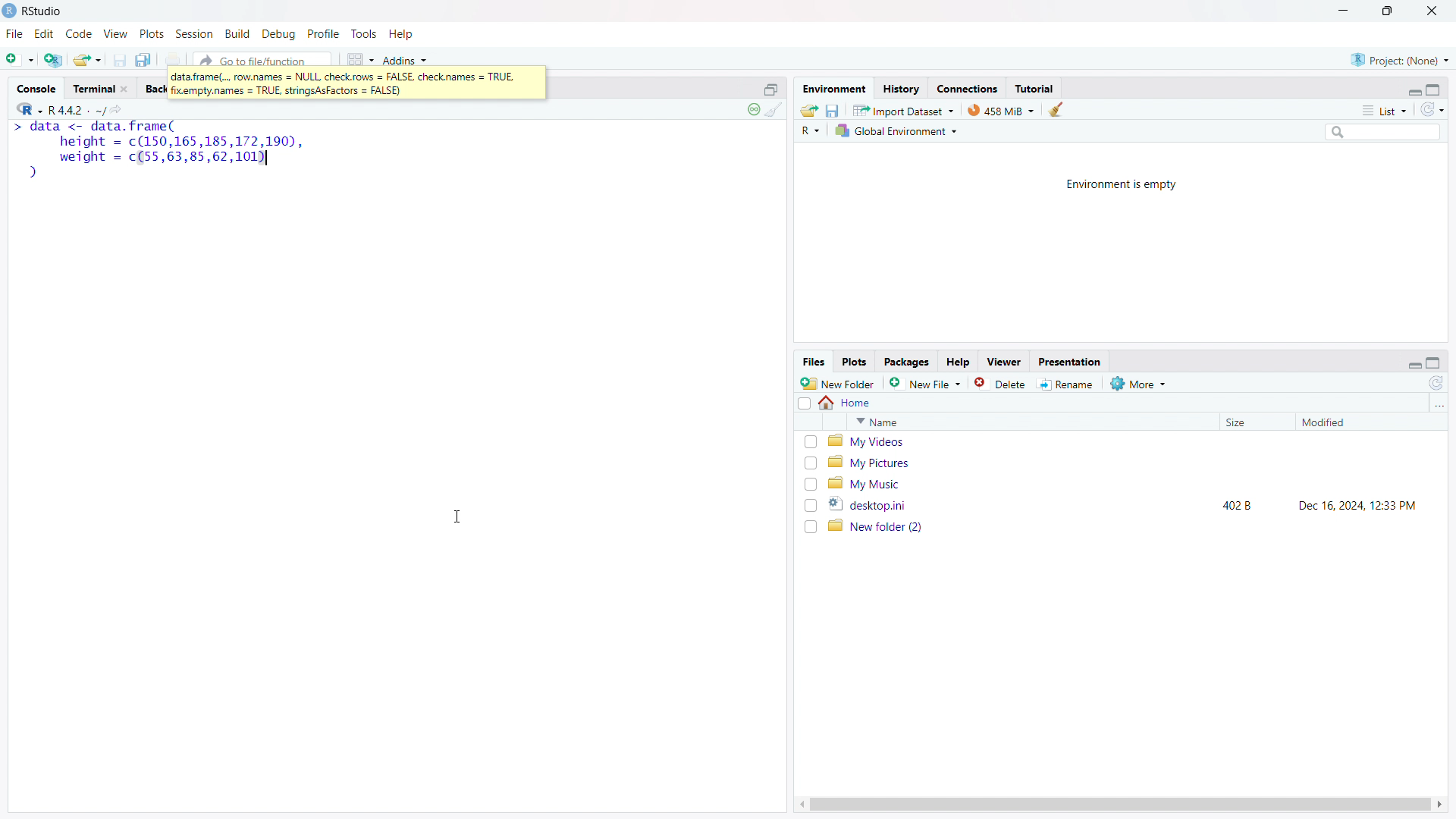 This screenshot has height=819, width=1456. What do you see at coordinates (1122, 185) in the screenshot?
I see `emvironment is empty` at bounding box center [1122, 185].